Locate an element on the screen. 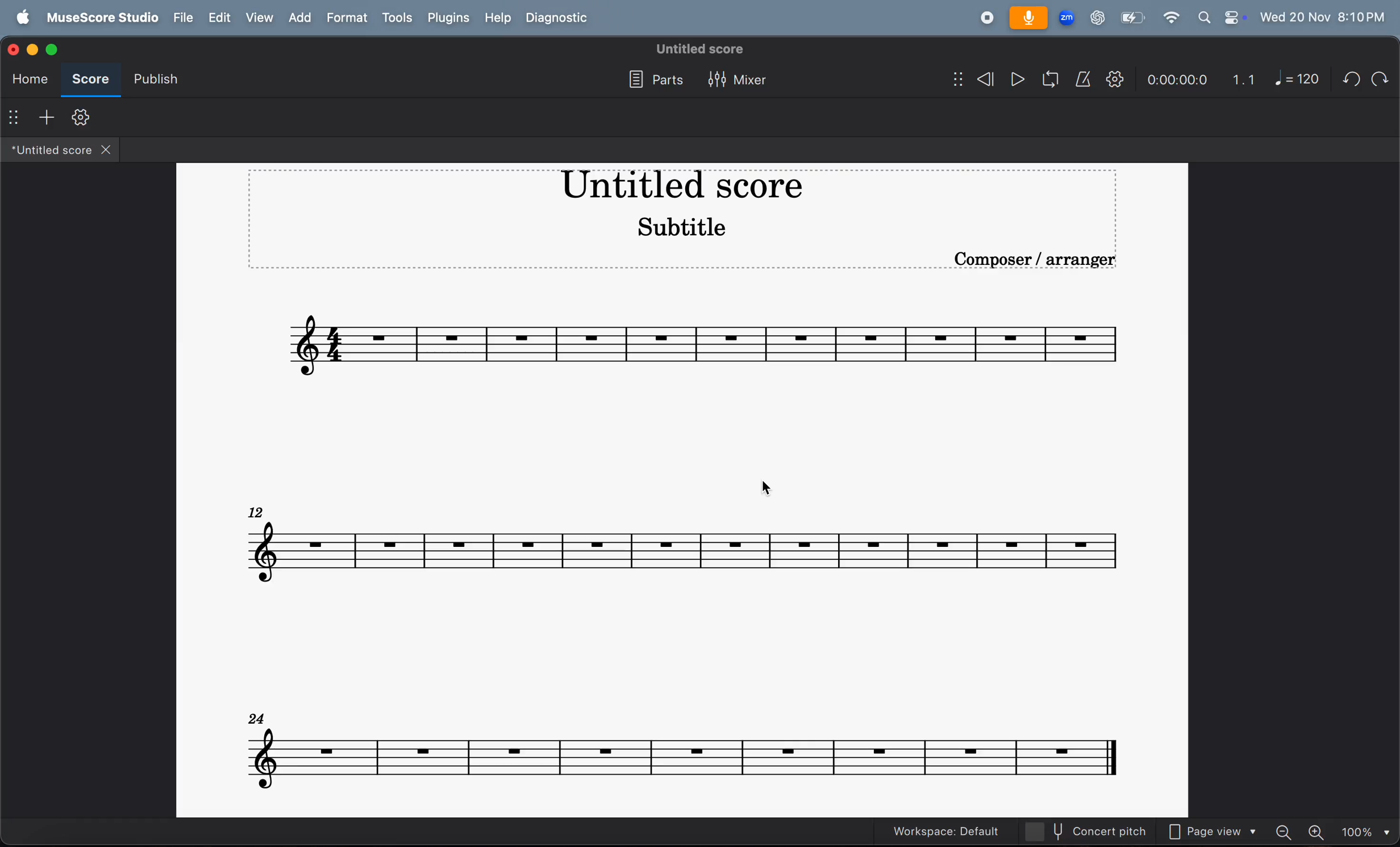 The image size is (1400, 847). play is located at coordinates (1014, 78).